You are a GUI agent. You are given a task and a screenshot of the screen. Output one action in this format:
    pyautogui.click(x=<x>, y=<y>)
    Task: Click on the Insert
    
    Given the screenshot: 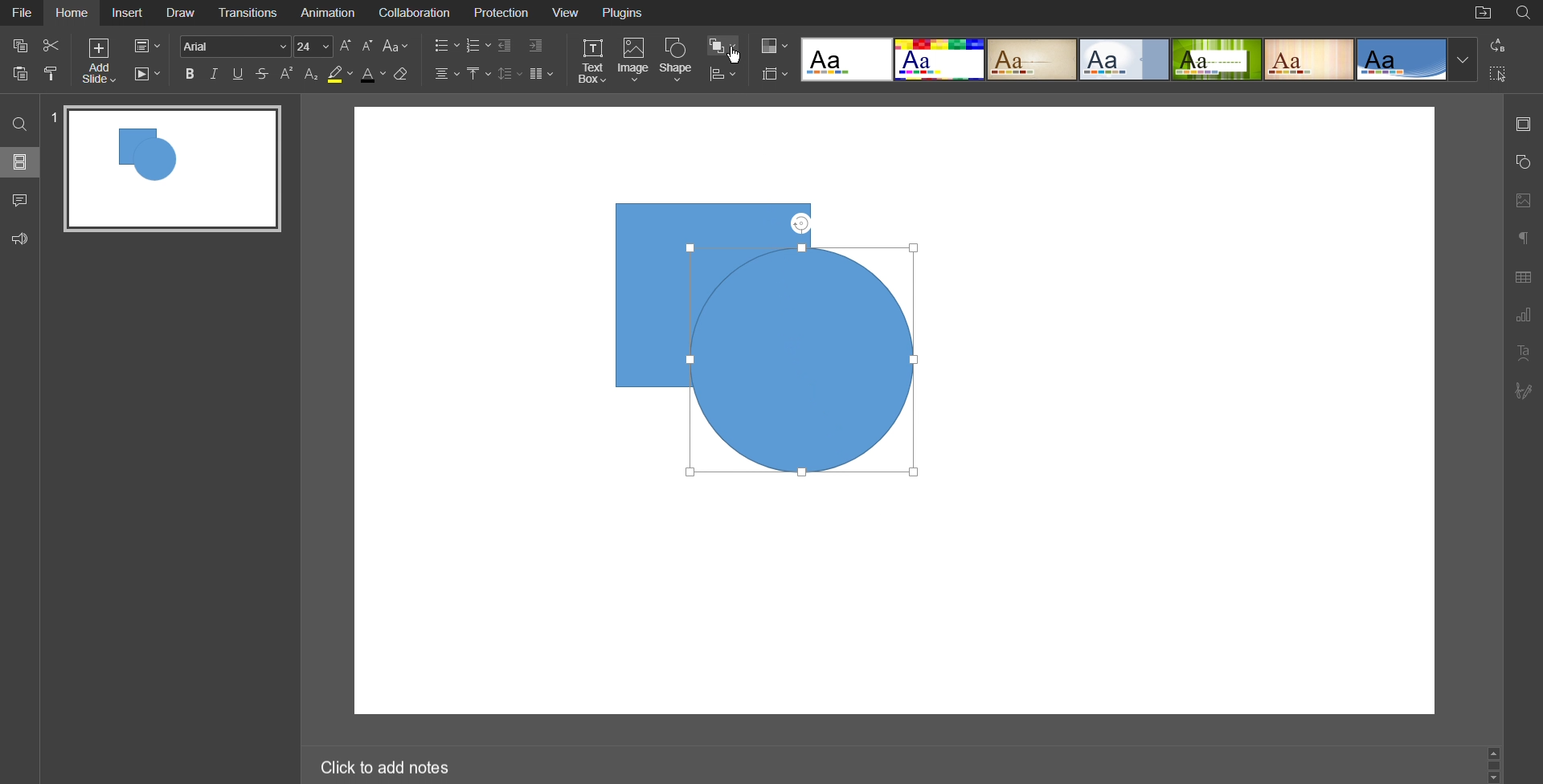 What is the action you would take?
    pyautogui.click(x=125, y=13)
    